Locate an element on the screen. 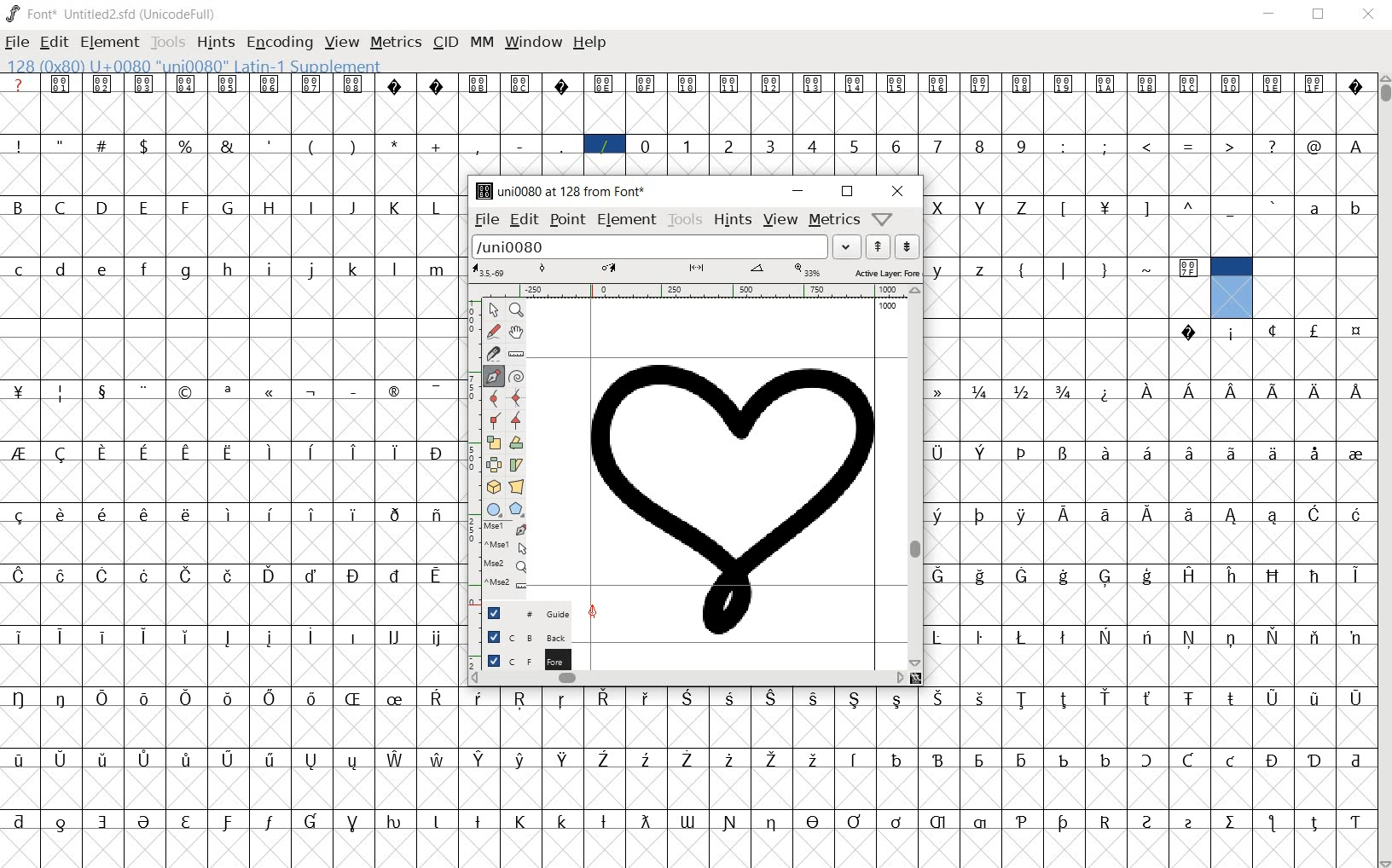  glyph is located at coordinates (438, 270).